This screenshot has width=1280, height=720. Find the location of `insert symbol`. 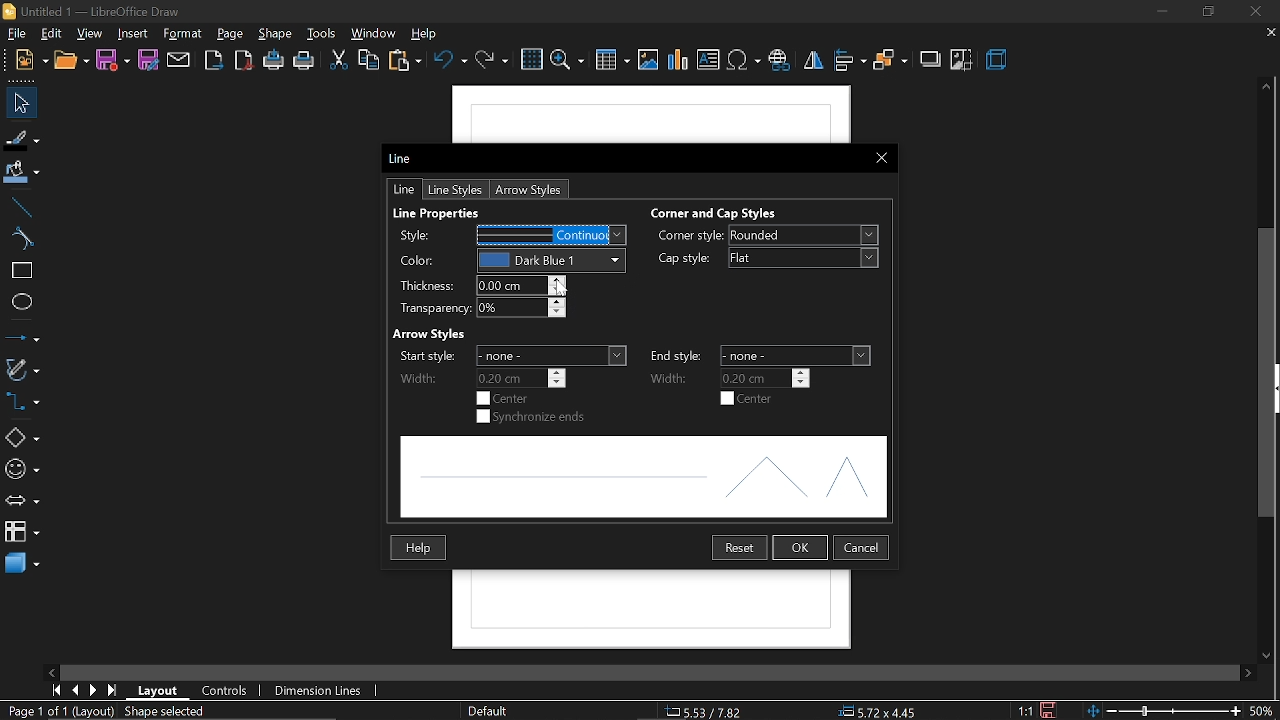

insert symbol is located at coordinates (745, 61).